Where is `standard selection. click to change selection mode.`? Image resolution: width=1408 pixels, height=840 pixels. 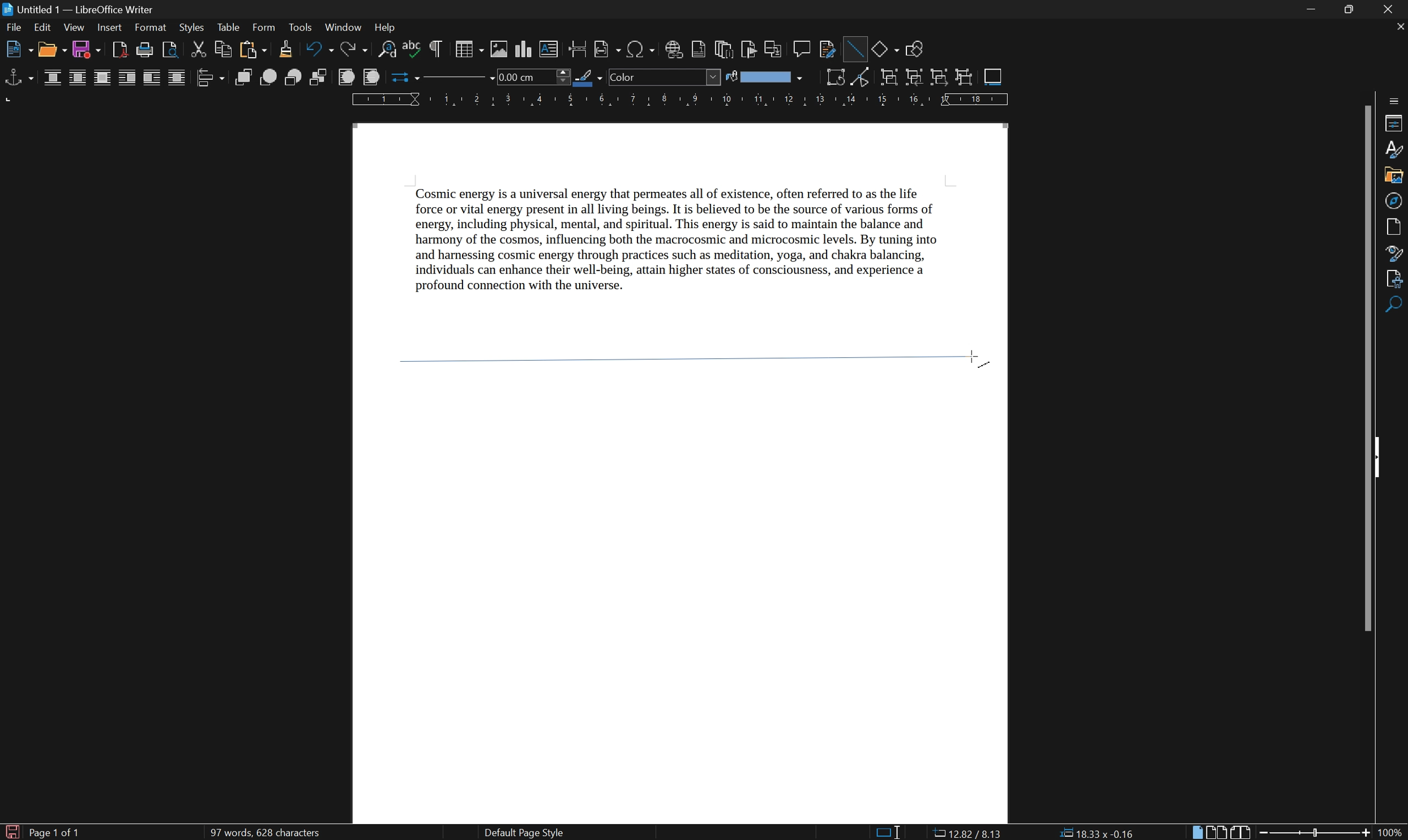 standard selection. click to change selection mode. is located at coordinates (889, 832).